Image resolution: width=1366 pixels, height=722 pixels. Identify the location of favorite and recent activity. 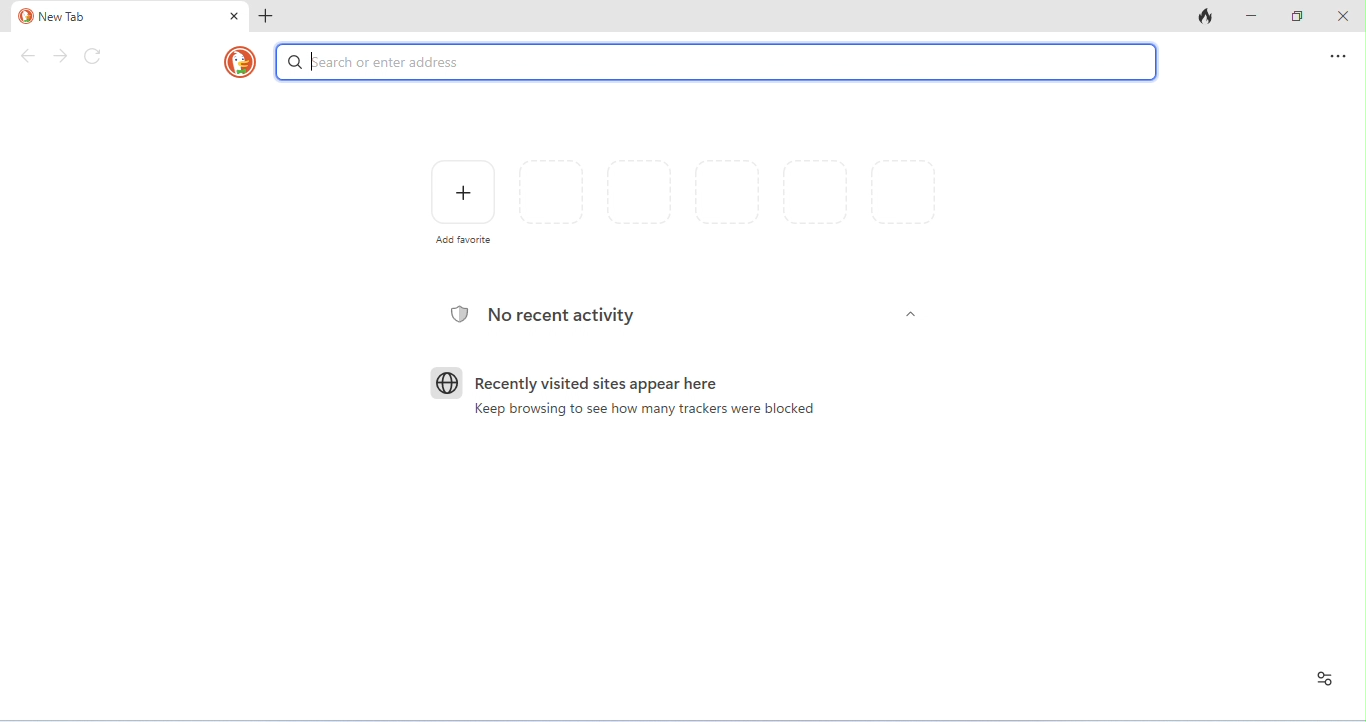
(1325, 679).